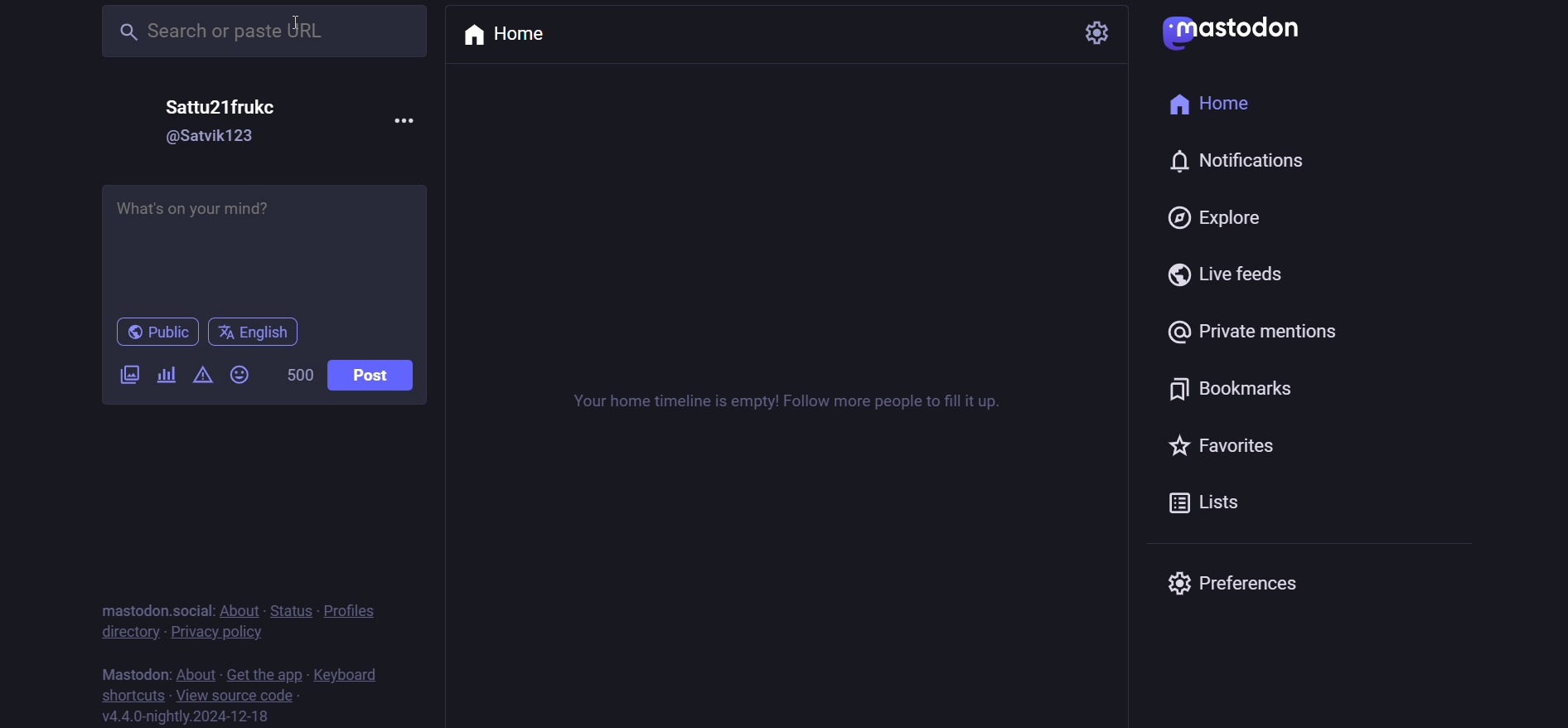  Describe the element at coordinates (209, 138) in the screenshot. I see `id` at that location.